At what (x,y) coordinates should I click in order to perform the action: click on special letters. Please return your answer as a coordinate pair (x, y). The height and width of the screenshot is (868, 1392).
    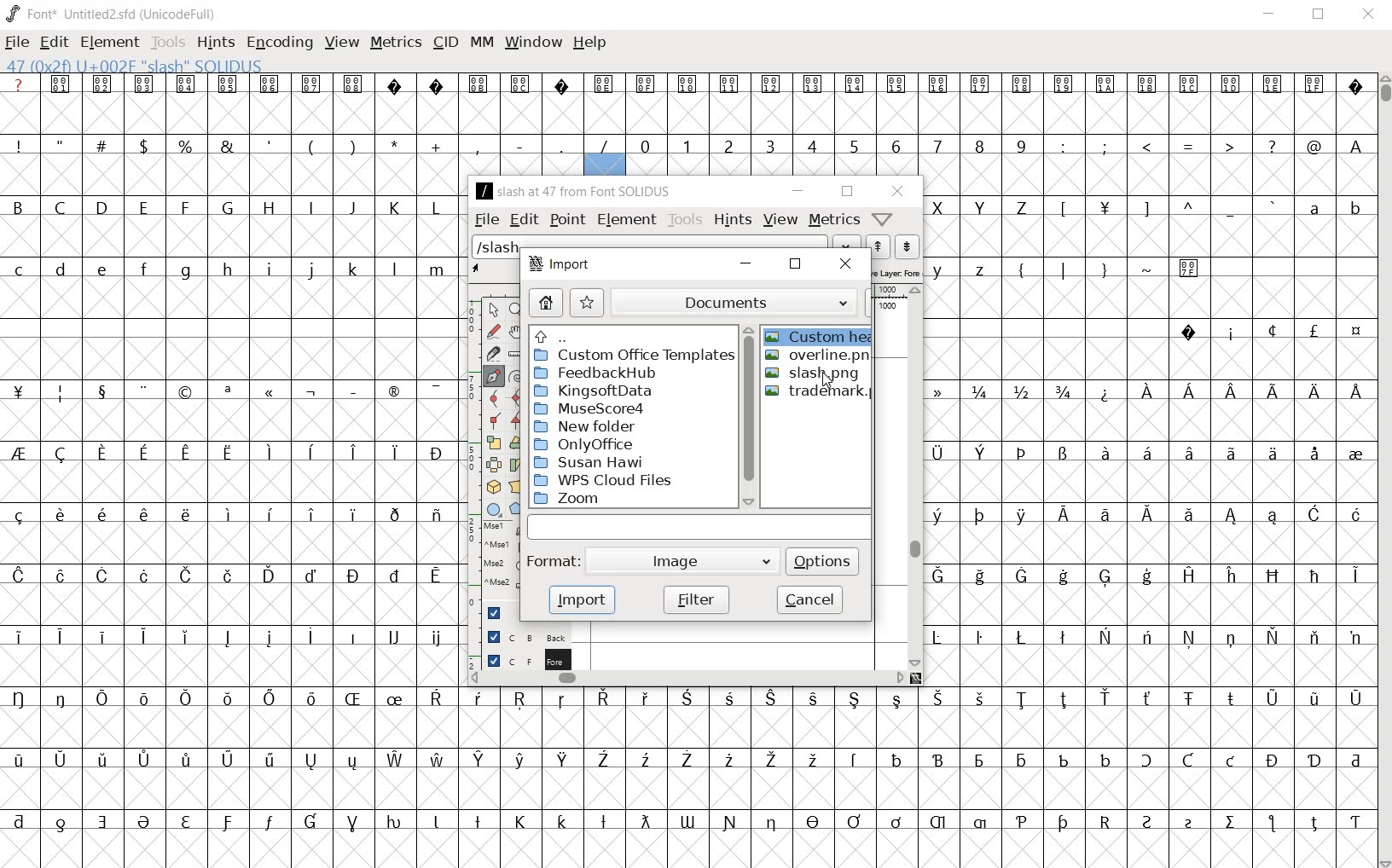
    Looking at the image, I should click on (1147, 574).